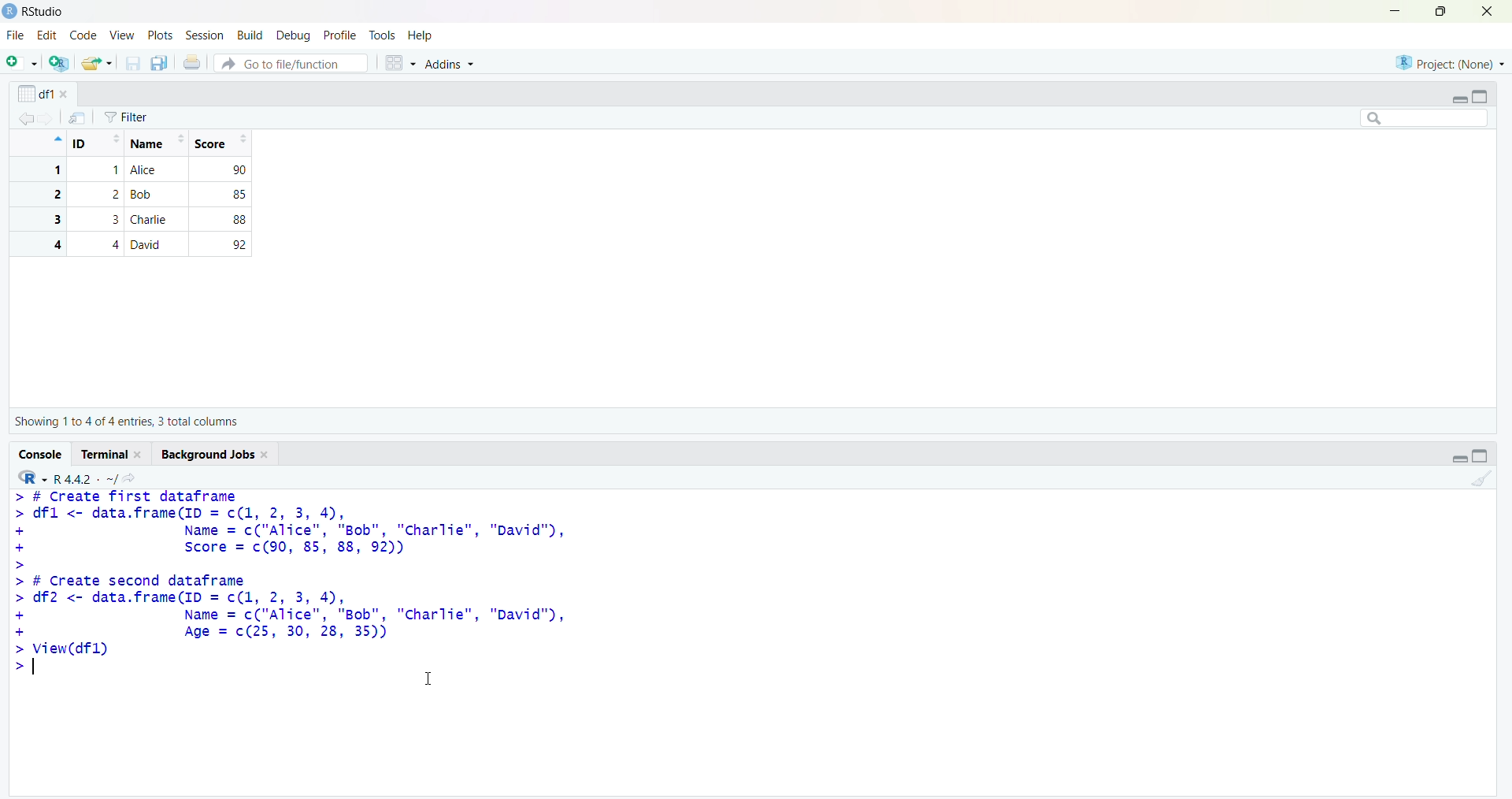  I want to click on profile, so click(339, 35).